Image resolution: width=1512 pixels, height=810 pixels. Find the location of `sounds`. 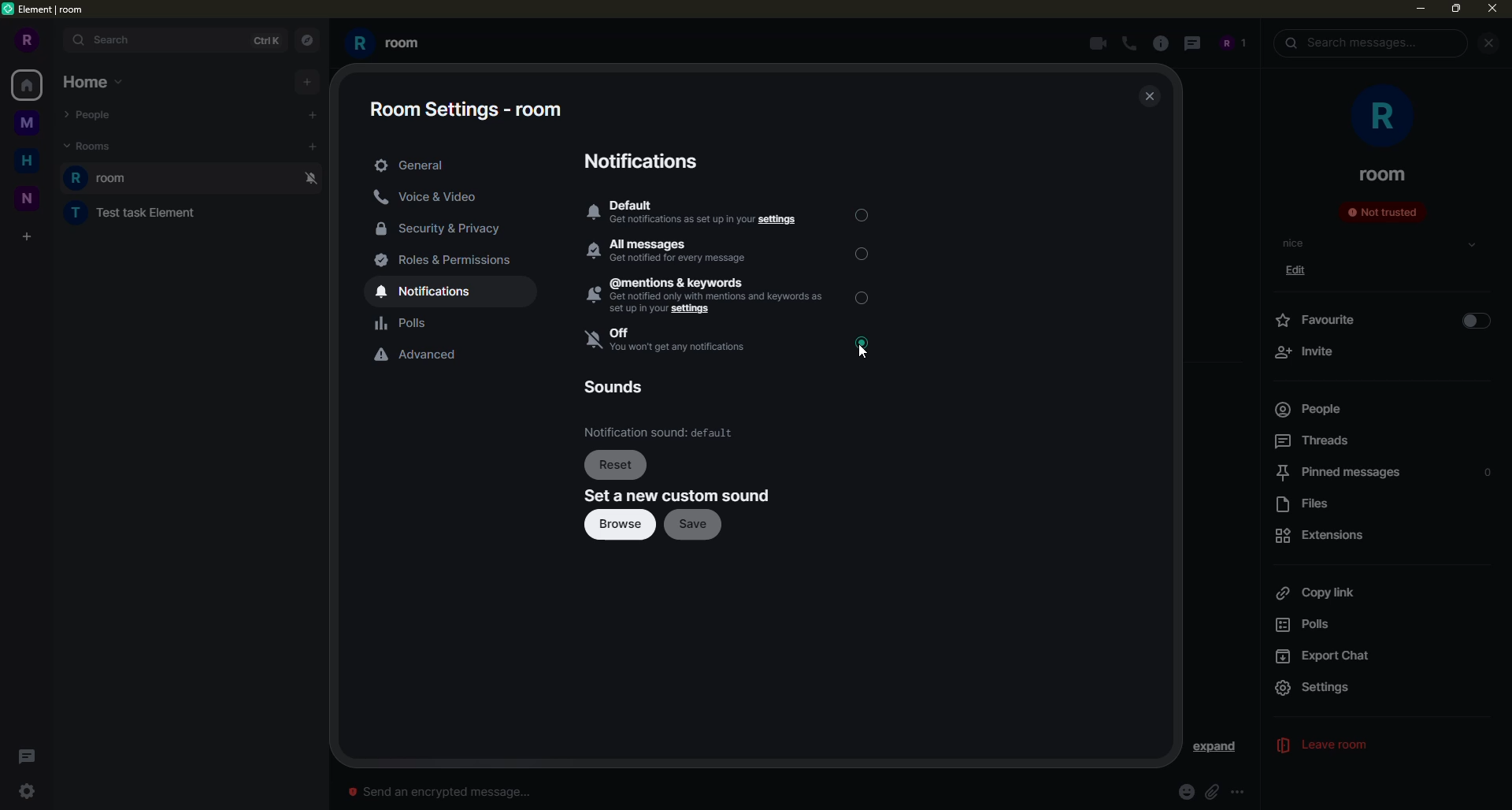

sounds is located at coordinates (612, 387).